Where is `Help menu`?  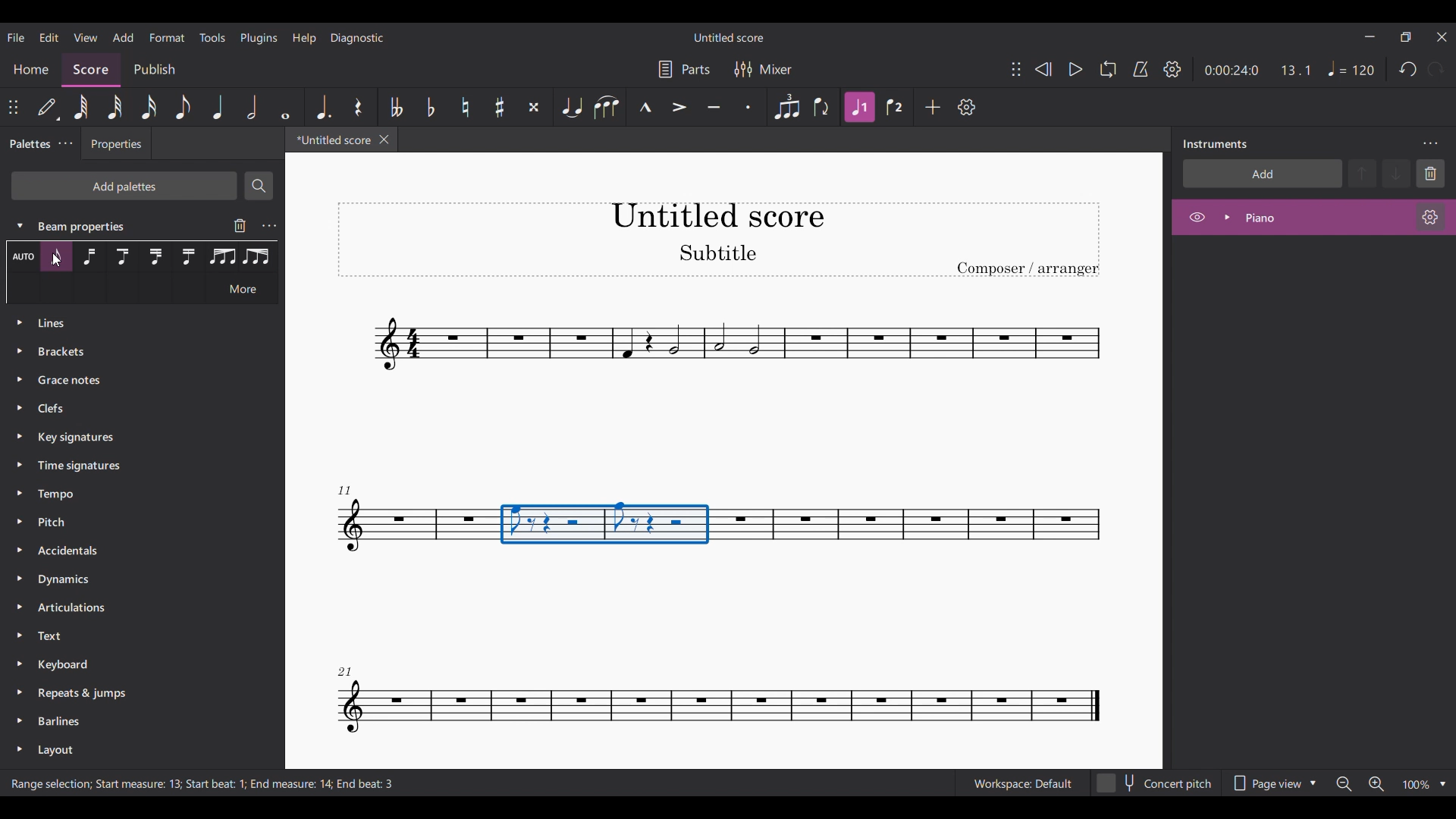 Help menu is located at coordinates (304, 39).